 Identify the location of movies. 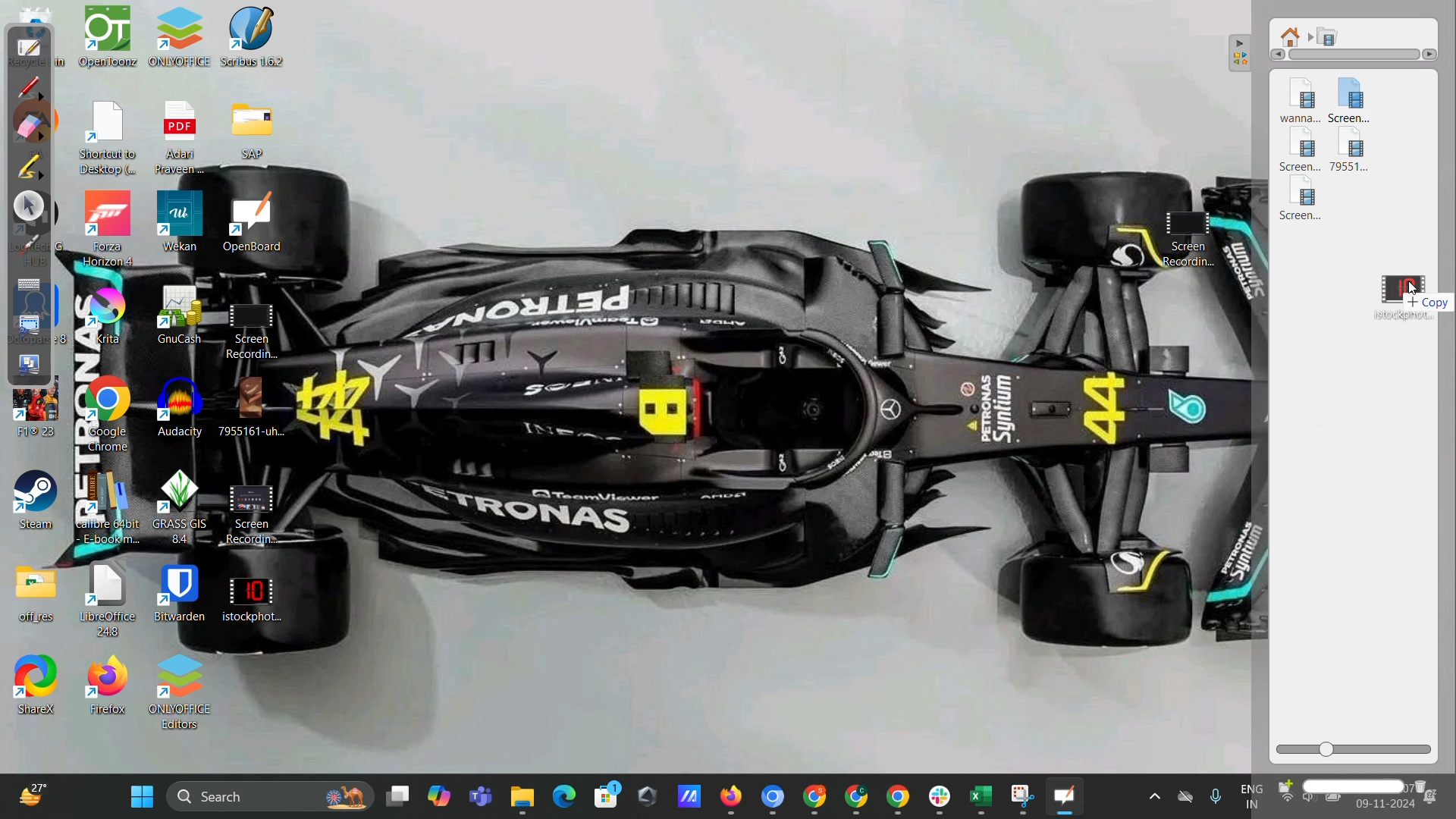
(1329, 36).